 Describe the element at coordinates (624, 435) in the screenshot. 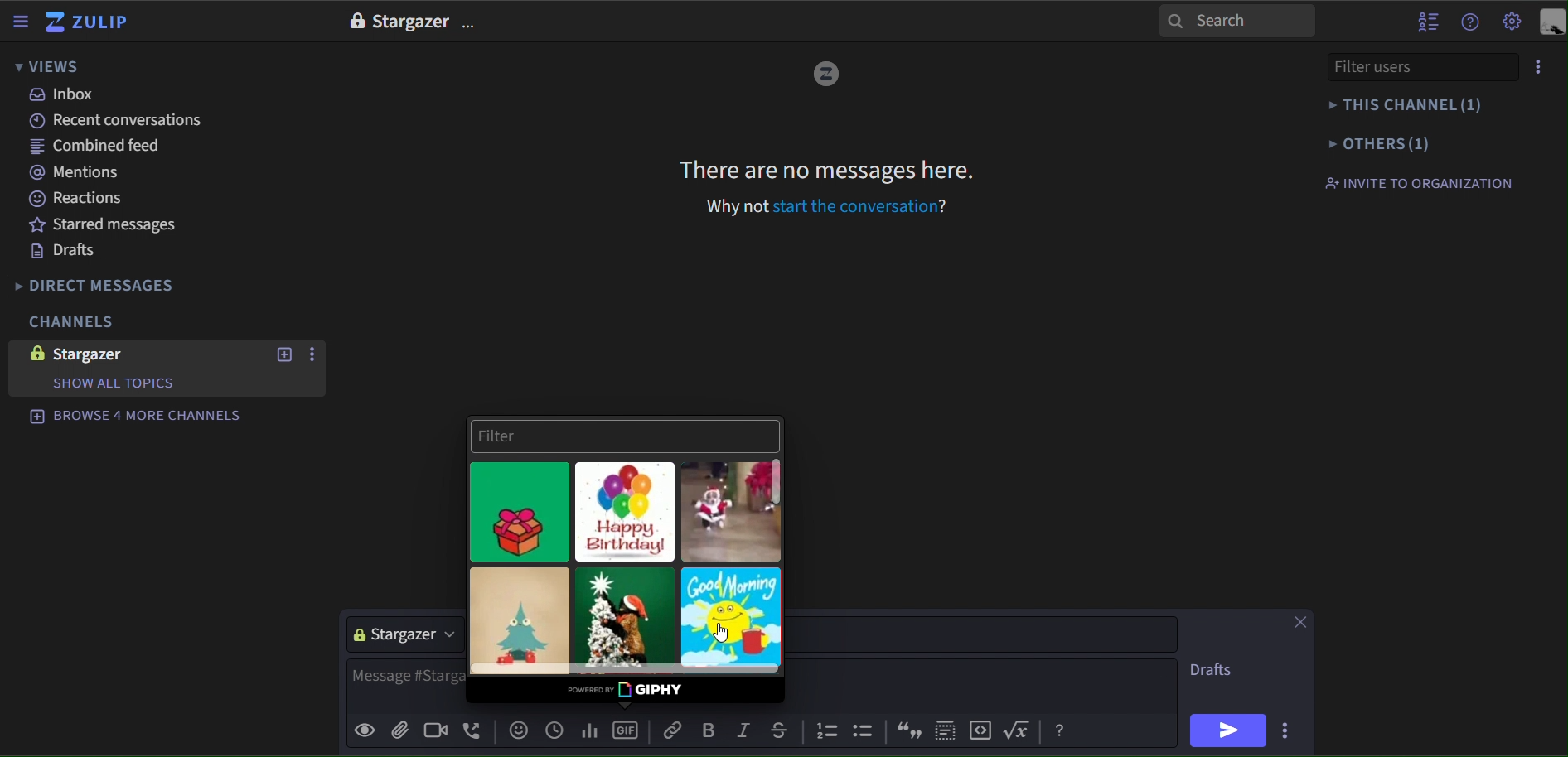

I see `filter` at that location.